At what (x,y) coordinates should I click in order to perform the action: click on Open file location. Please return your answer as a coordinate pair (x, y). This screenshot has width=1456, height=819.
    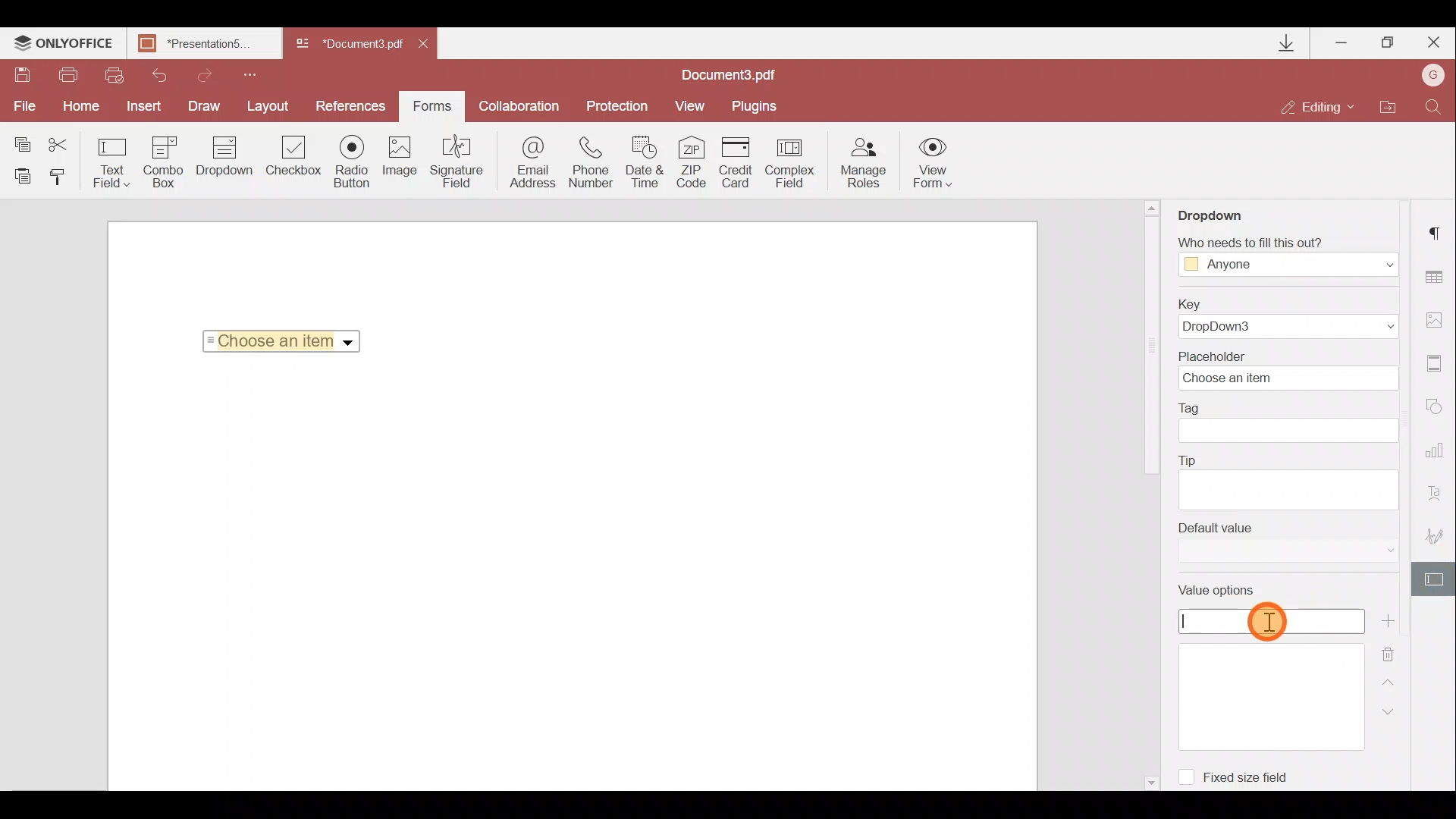
    Looking at the image, I should click on (1389, 106).